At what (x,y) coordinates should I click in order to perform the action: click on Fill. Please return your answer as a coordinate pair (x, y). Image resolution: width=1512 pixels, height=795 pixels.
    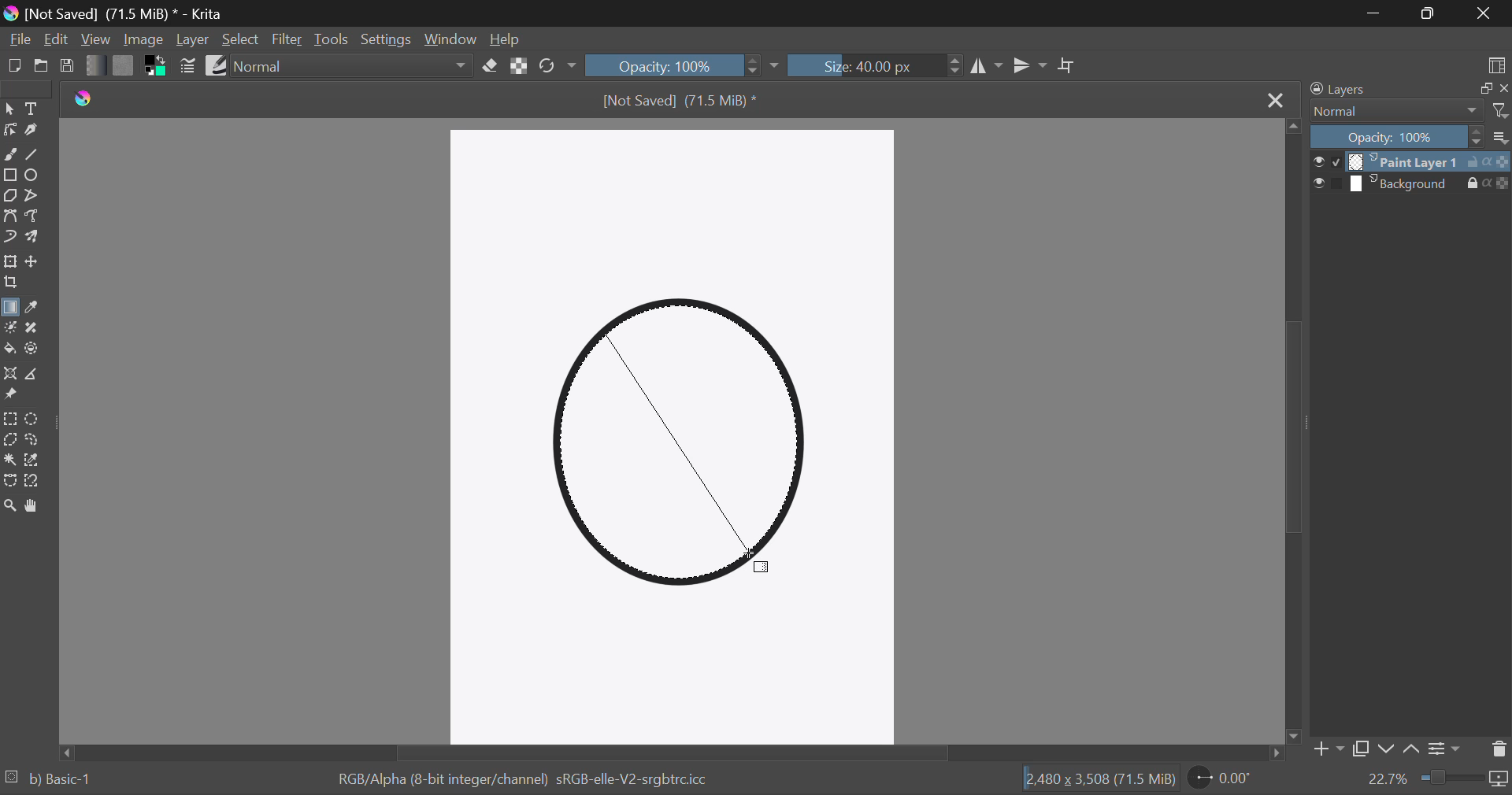
    Looking at the image, I should click on (10, 350).